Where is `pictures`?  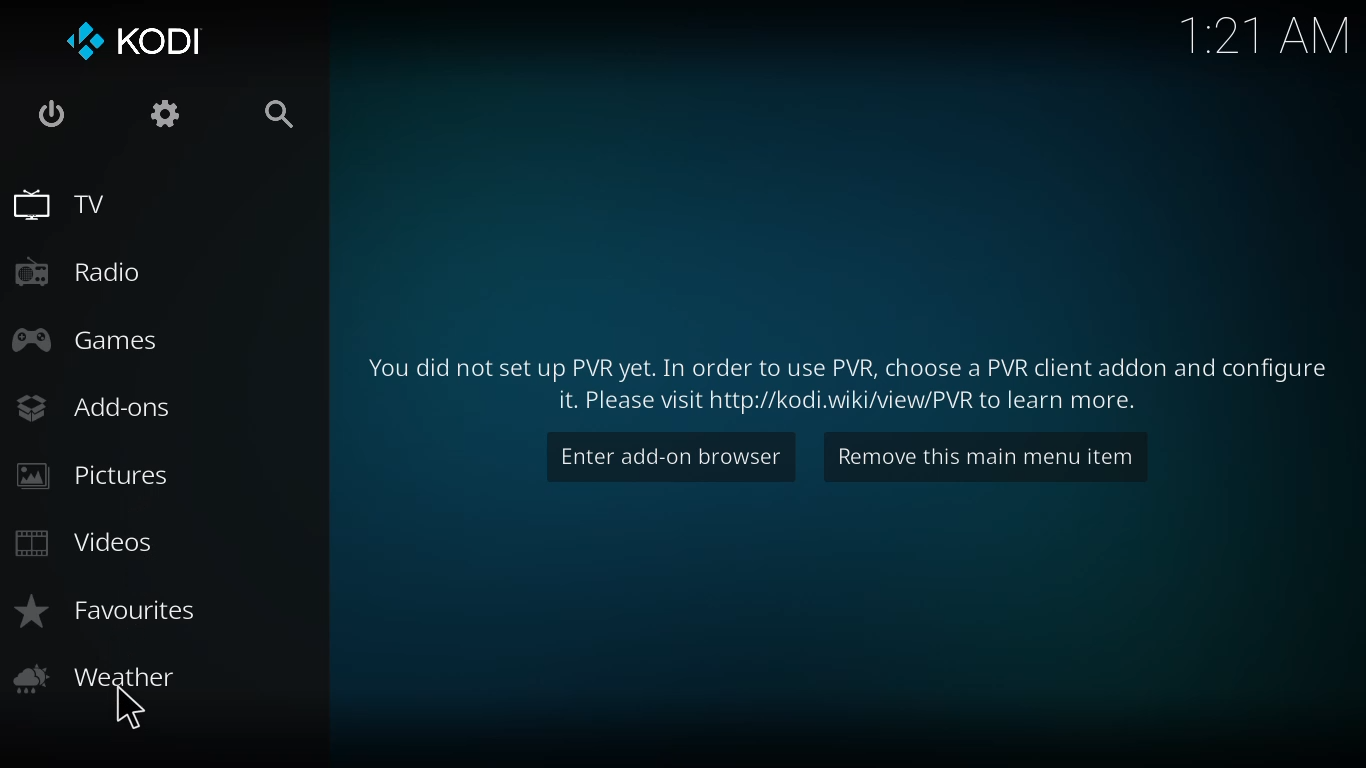
pictures is located at coordinates (95, 477).